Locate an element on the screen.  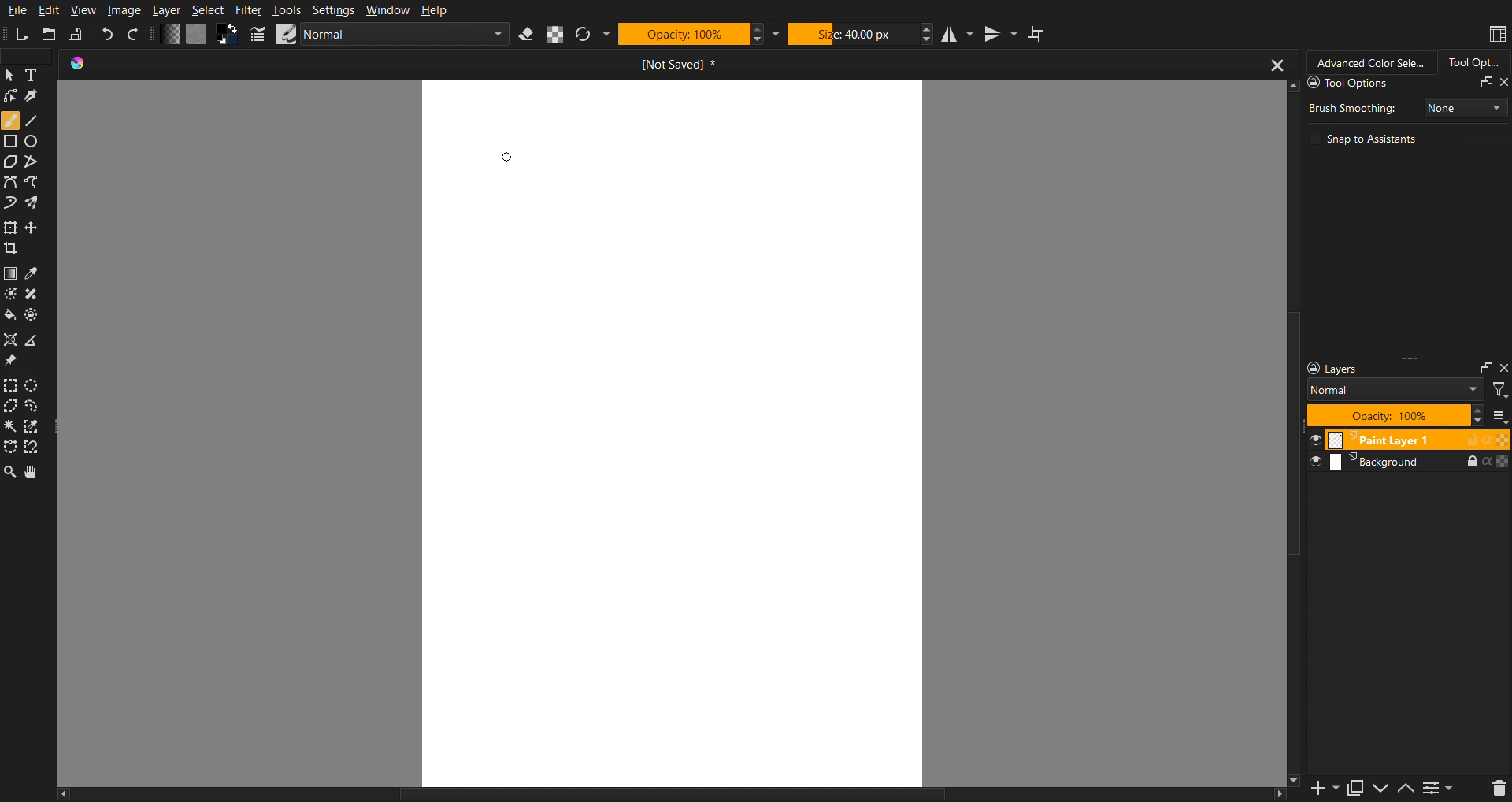
File is located at coordinates (15, 9).